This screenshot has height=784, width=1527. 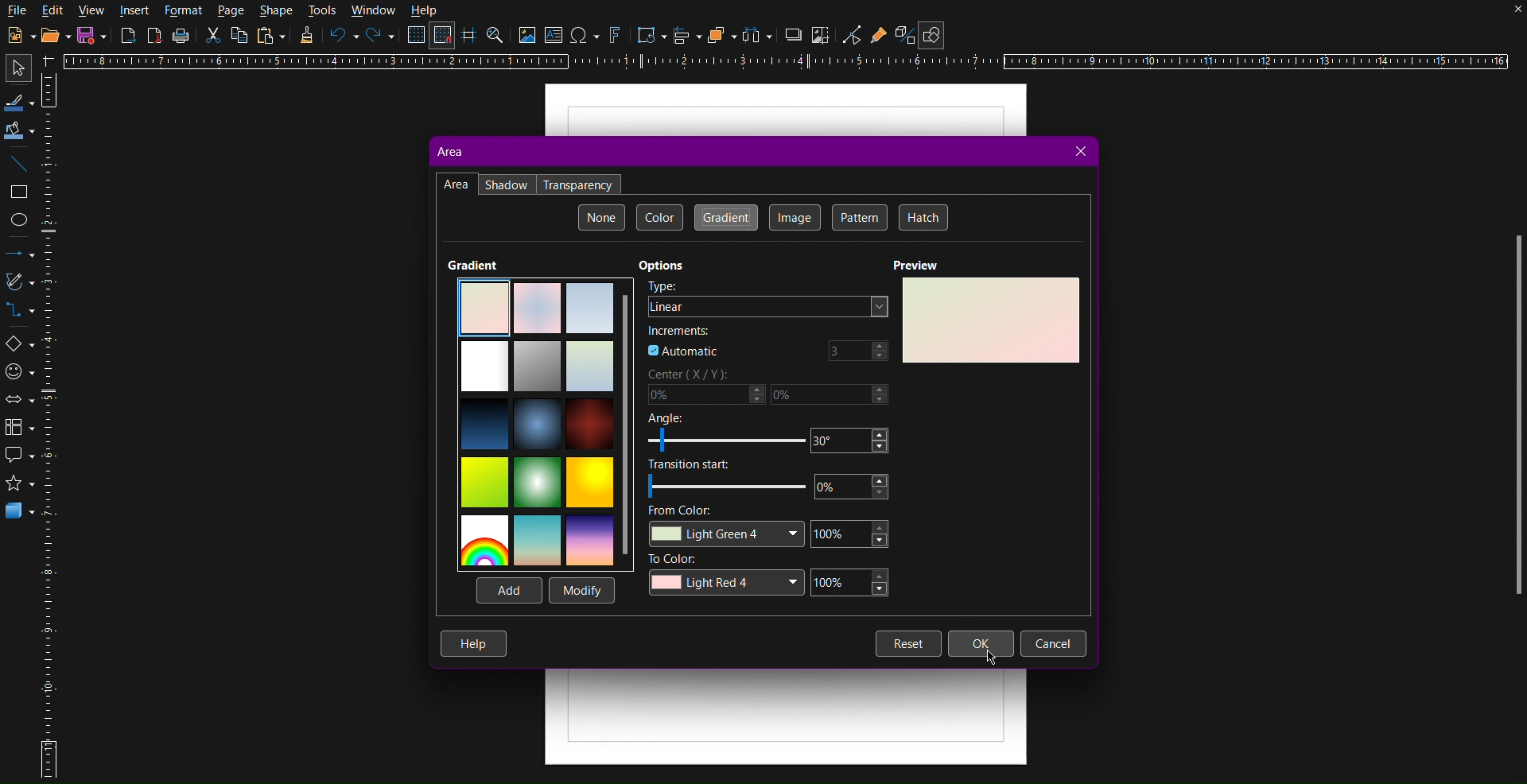 I want to click on File, so click(x=17, y=10).